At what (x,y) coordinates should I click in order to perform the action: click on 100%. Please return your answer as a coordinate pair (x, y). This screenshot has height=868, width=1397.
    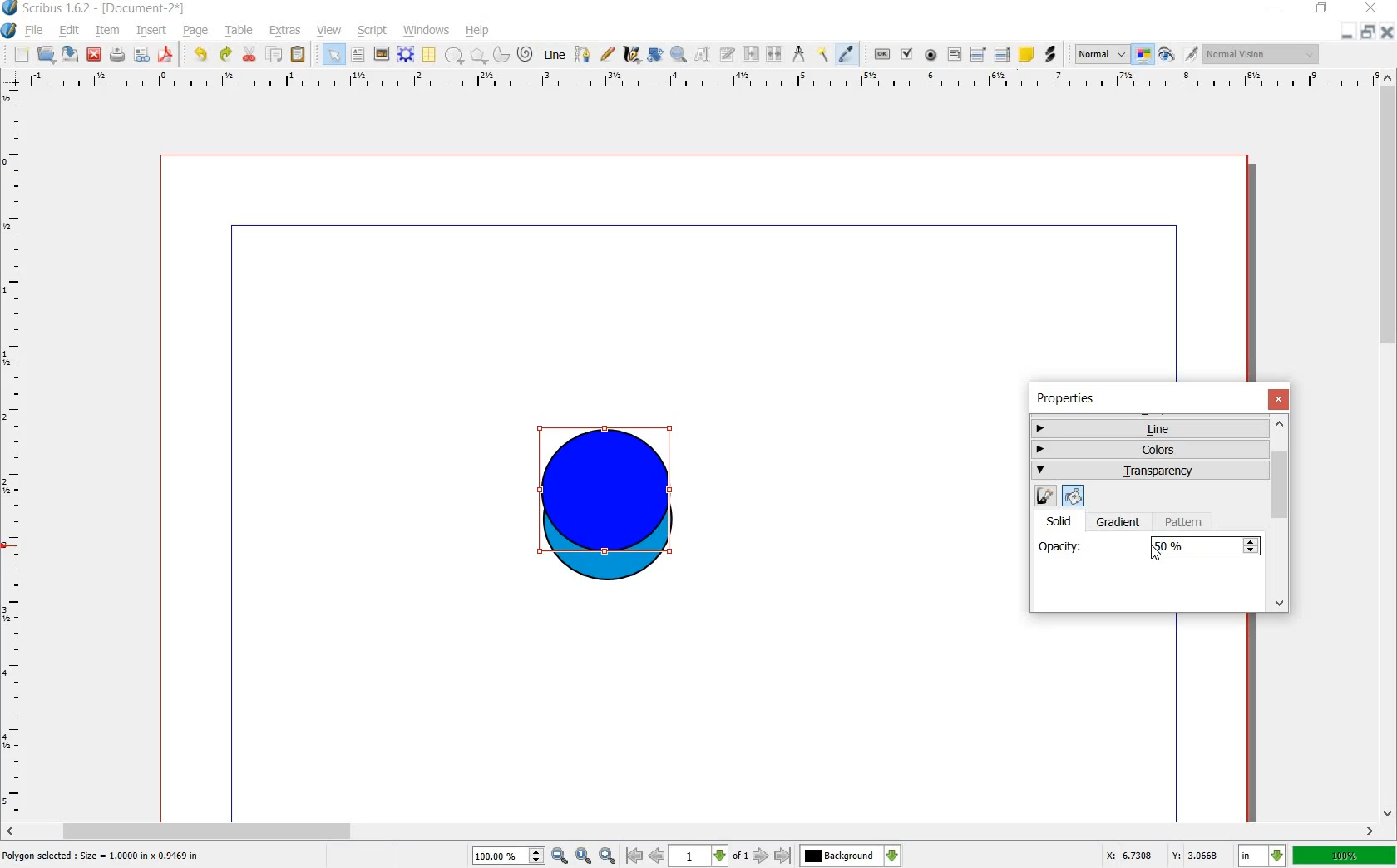
    Looking at the image, I should click on (499, 855).